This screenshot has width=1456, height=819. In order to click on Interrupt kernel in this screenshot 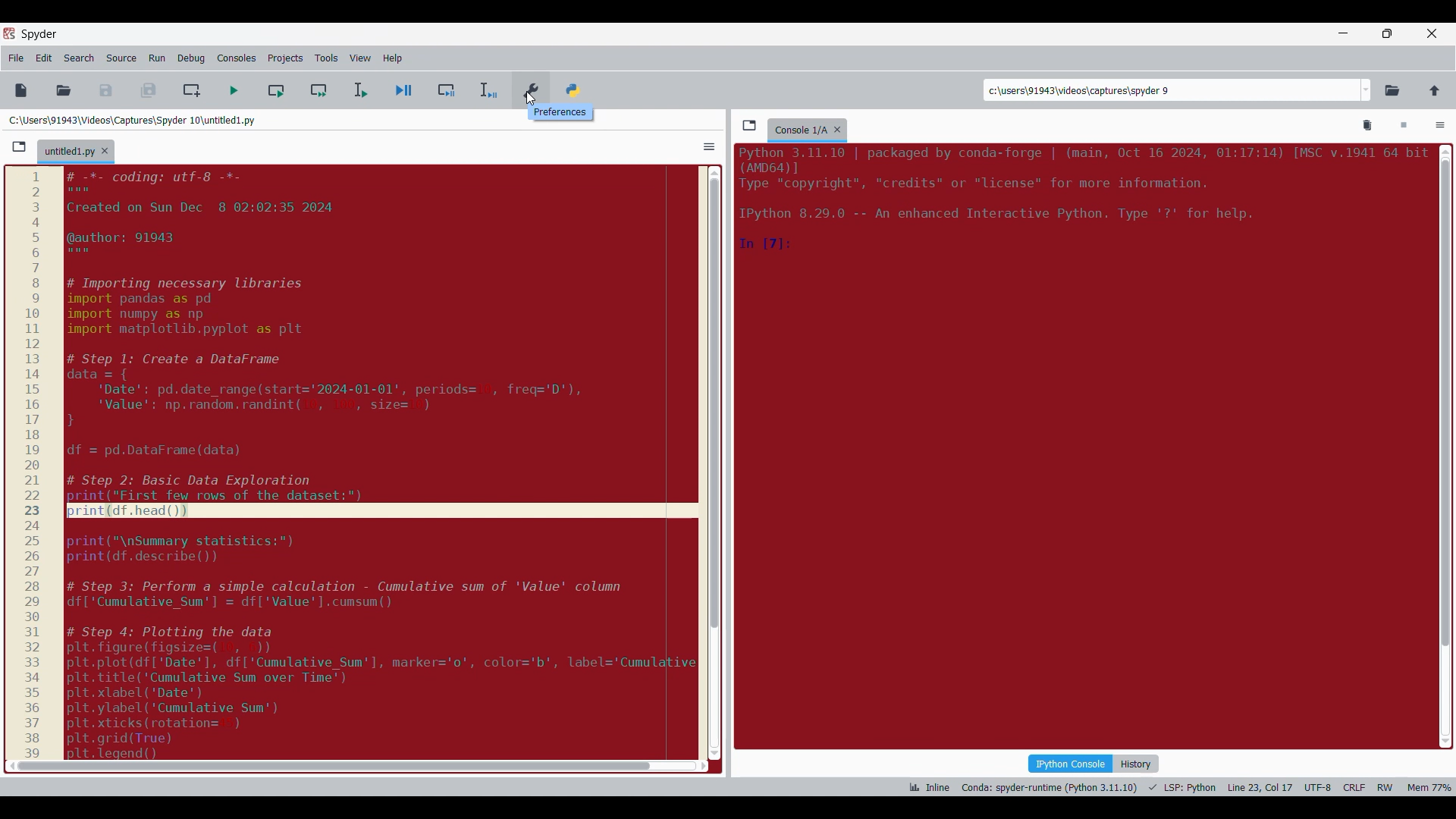, I will do `click(1404, 126)`.